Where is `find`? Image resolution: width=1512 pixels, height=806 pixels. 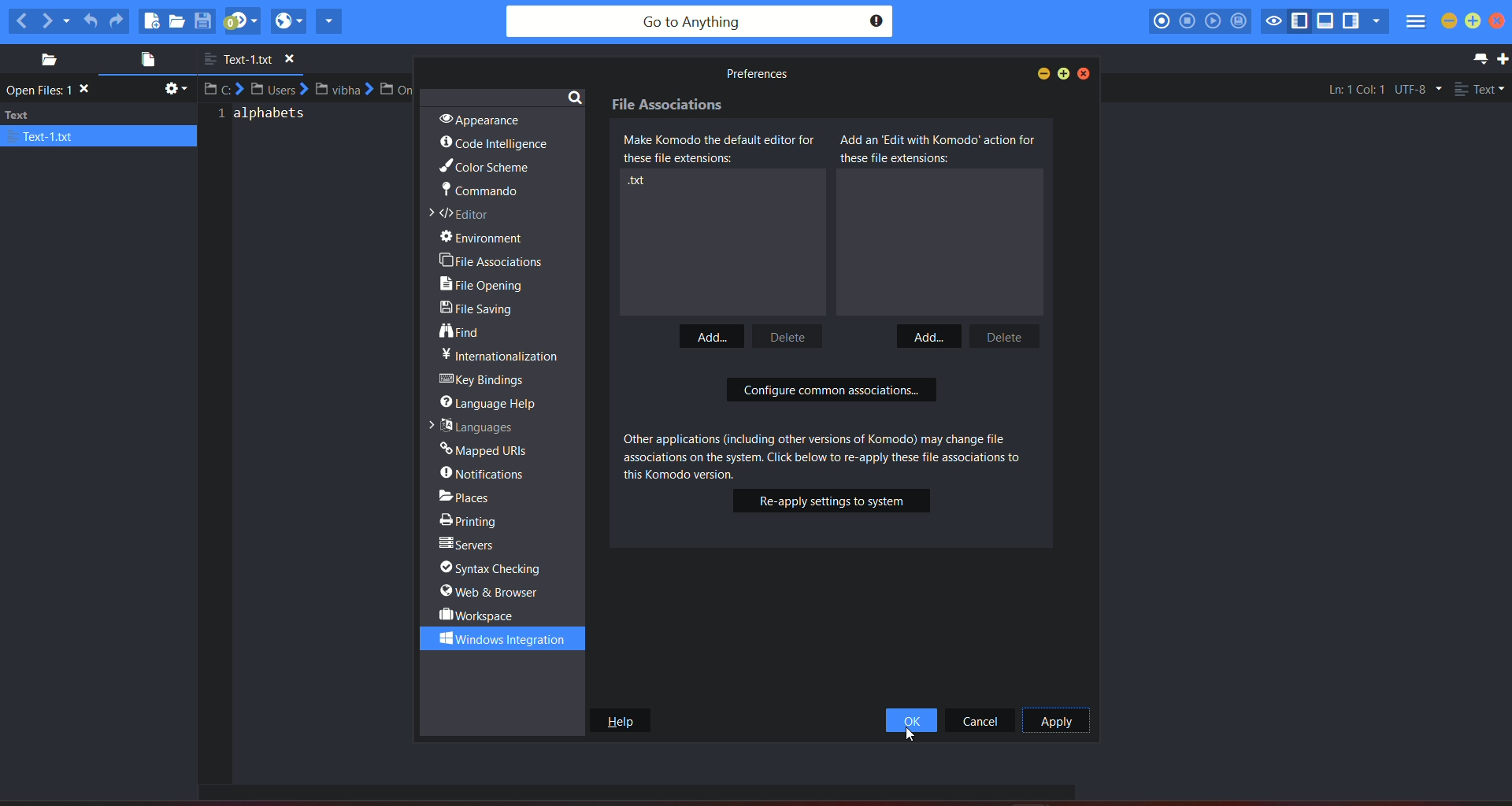
find is located at coordinates (462, 332).